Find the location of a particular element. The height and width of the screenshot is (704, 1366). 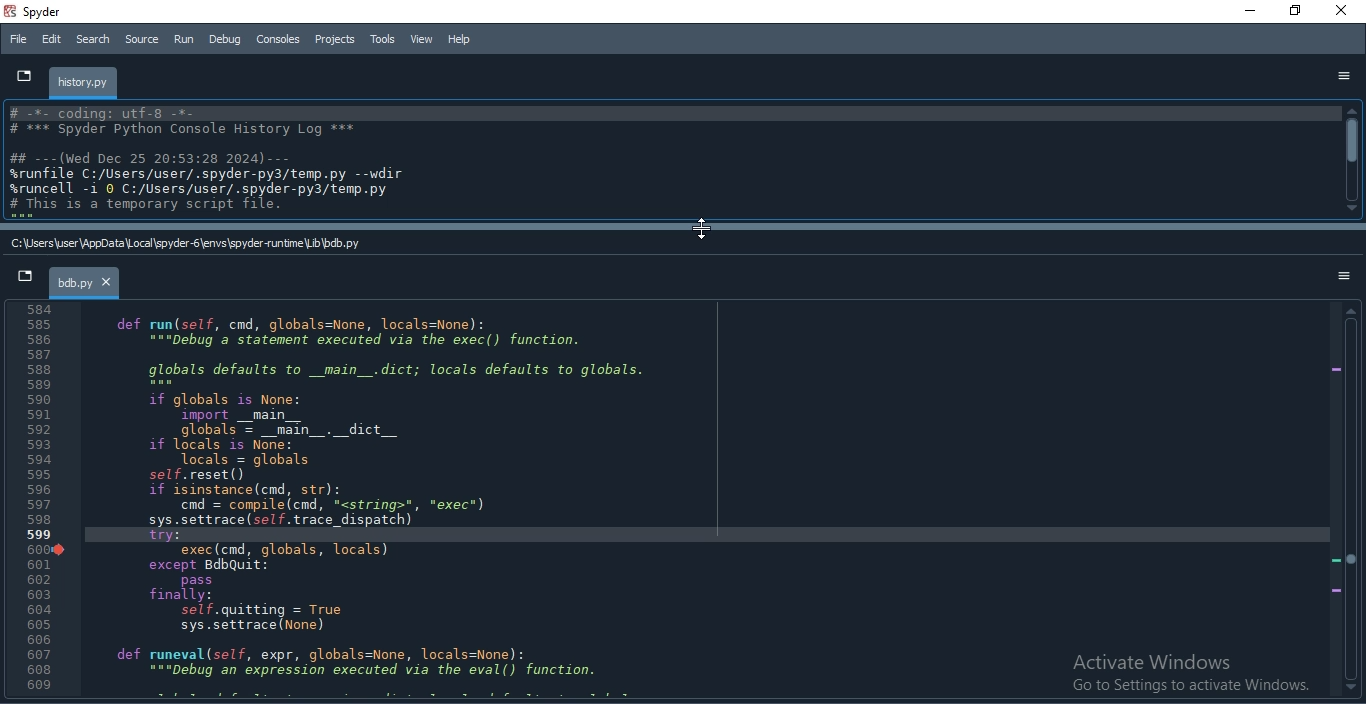

scroll bar is located at coordinates (1351, 503).